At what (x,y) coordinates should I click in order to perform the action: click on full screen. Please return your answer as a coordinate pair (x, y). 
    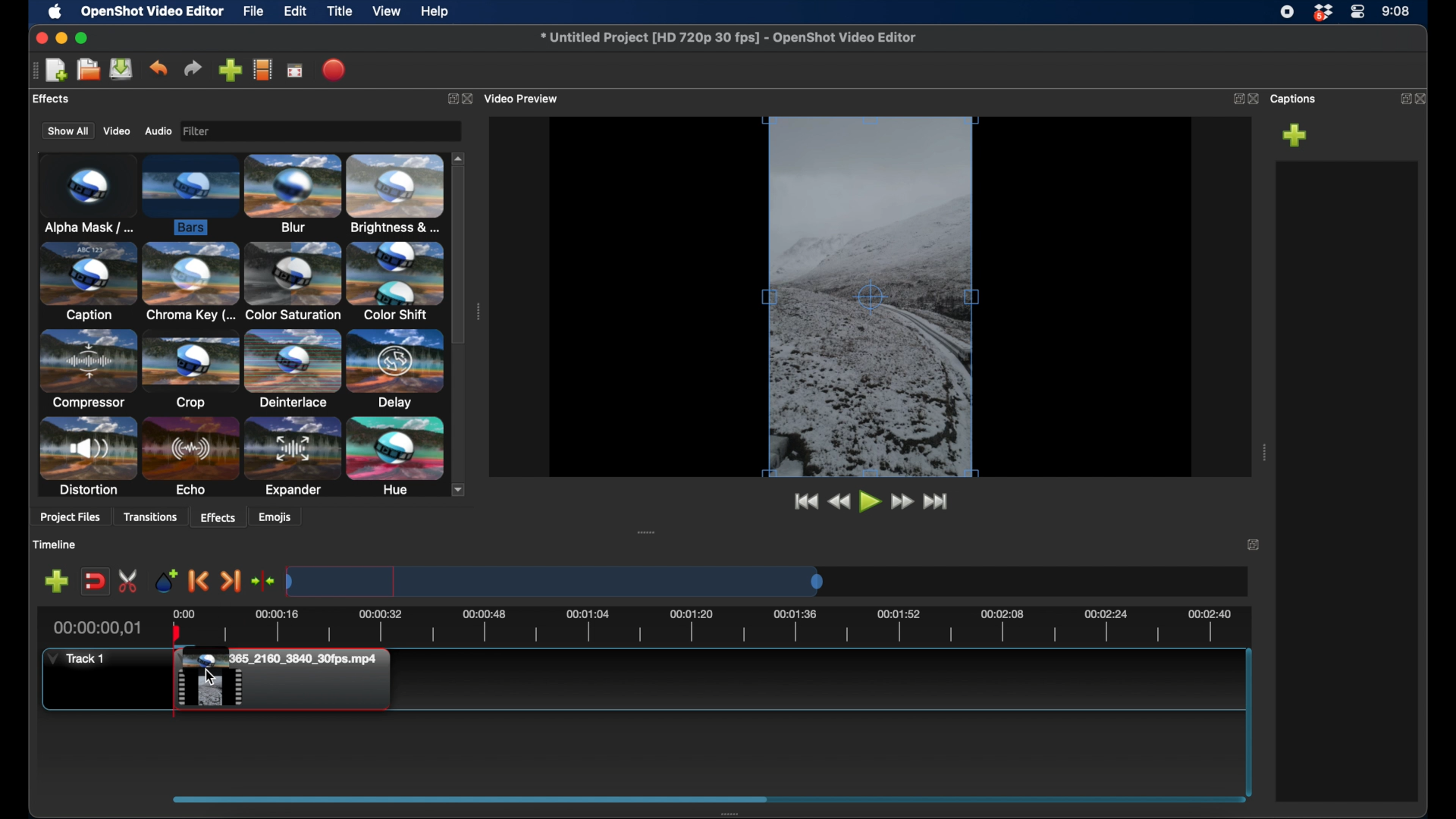
    Looking at the image, I should click on (295, 71).